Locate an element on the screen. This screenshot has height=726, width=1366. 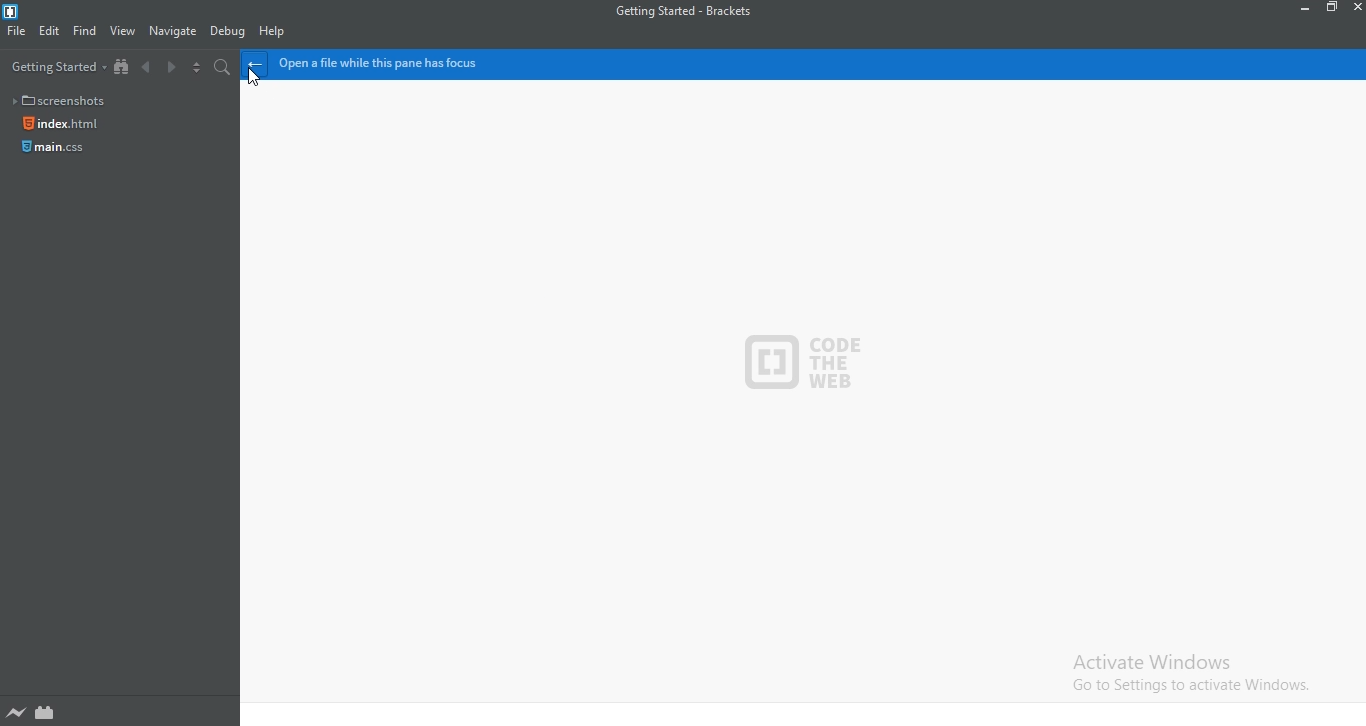
Screenshots is located at coordinates (66, 100).